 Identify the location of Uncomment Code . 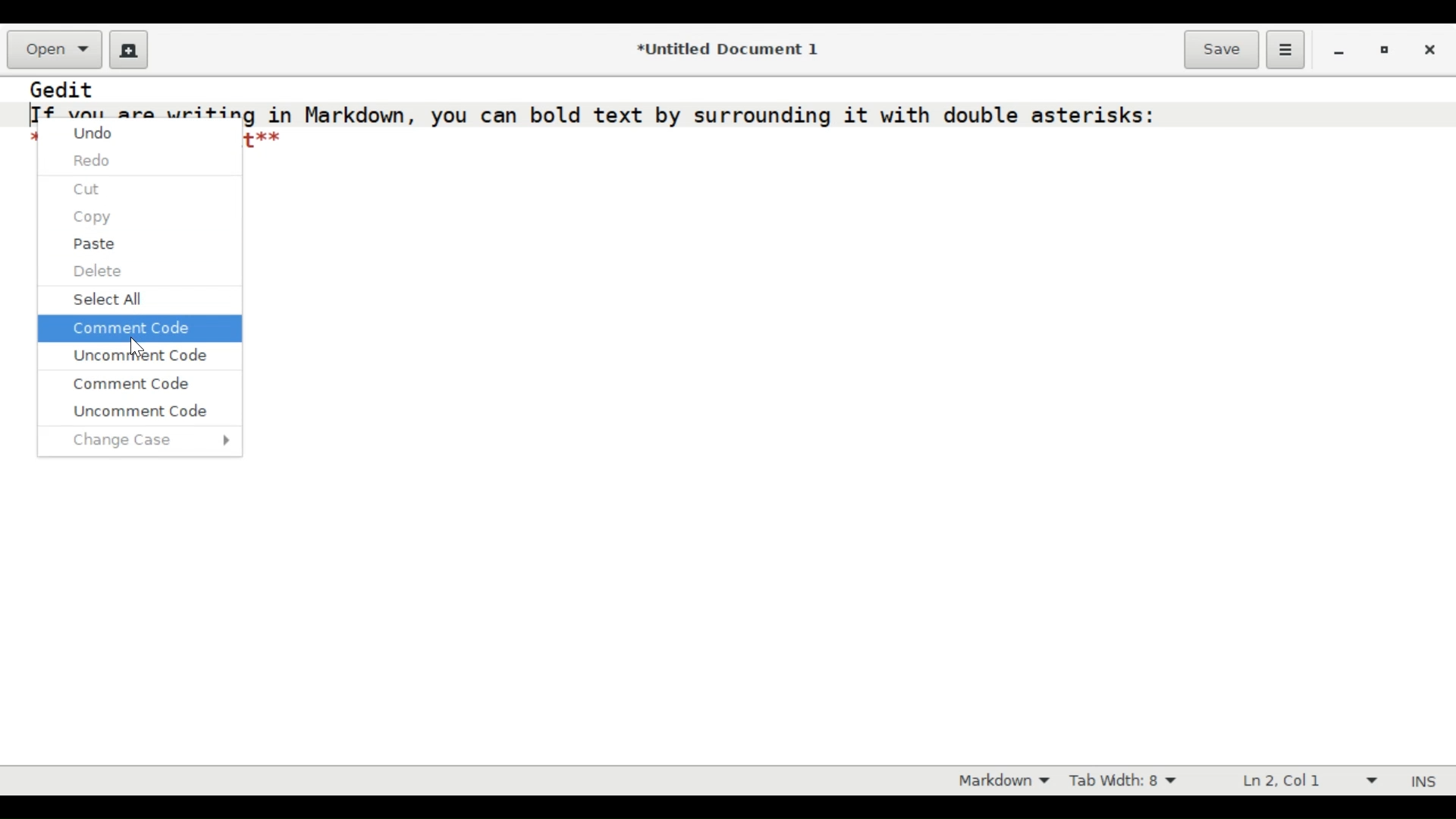
(140, 357).